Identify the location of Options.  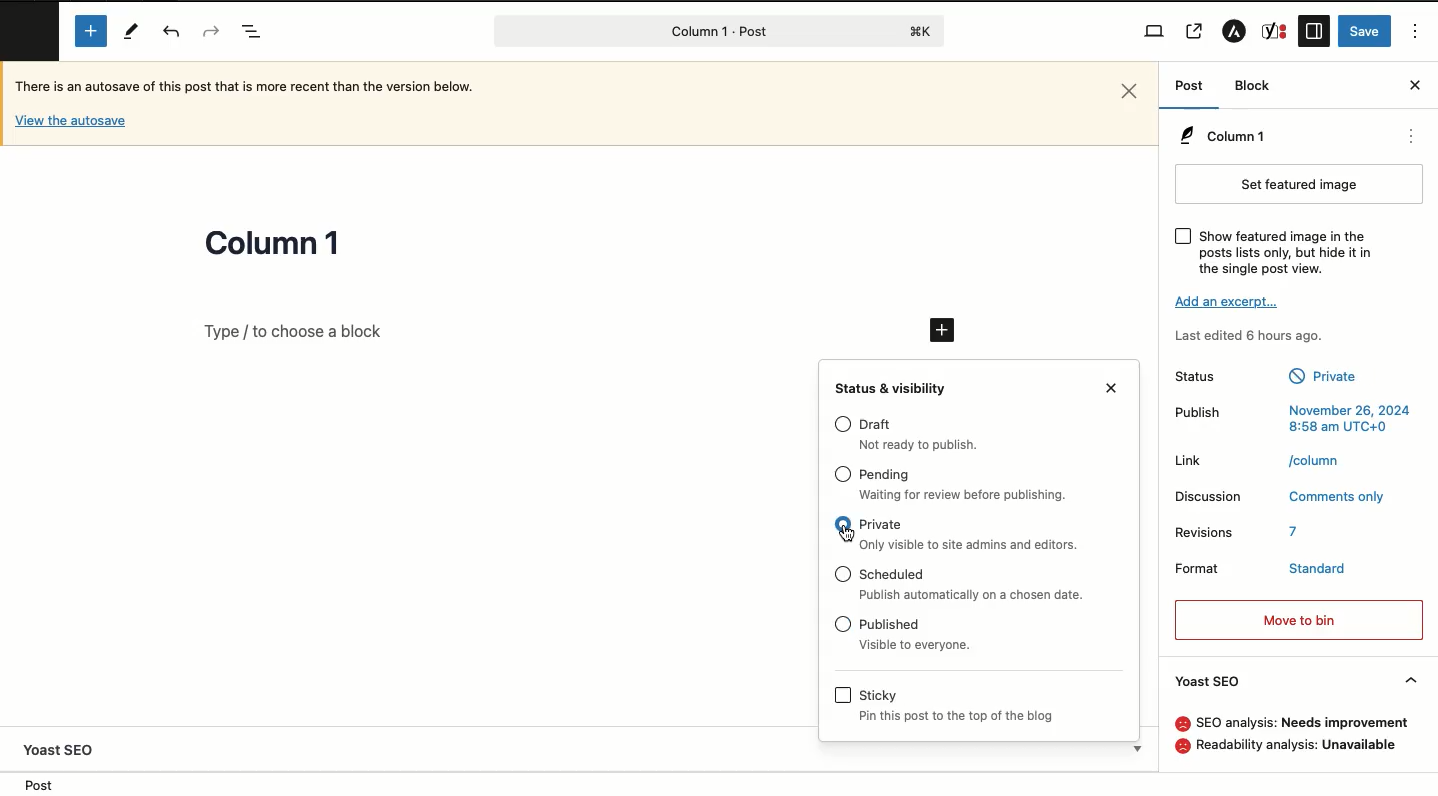
(1416, 32).